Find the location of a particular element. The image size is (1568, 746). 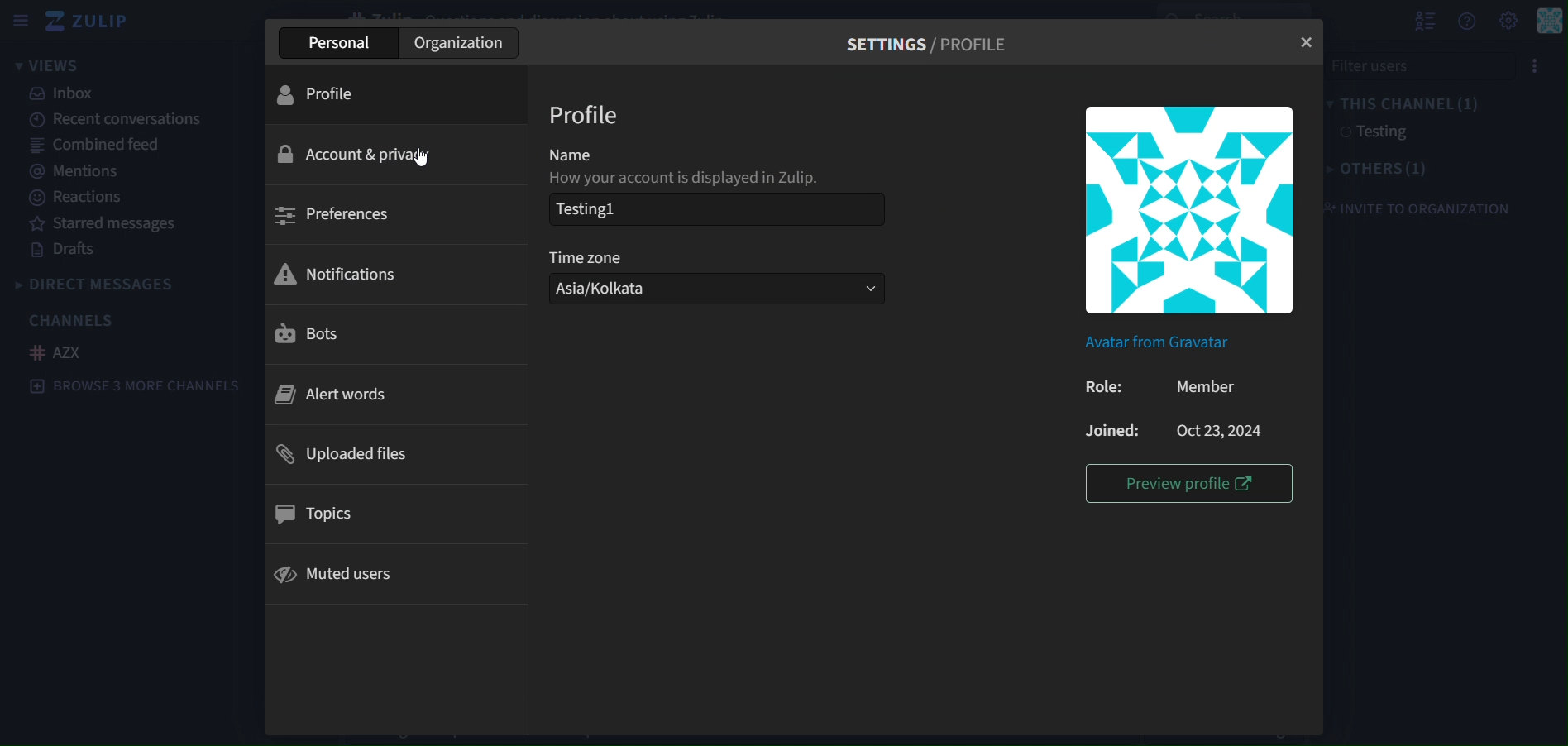

personal menu is located at coordinates (1547, 22).